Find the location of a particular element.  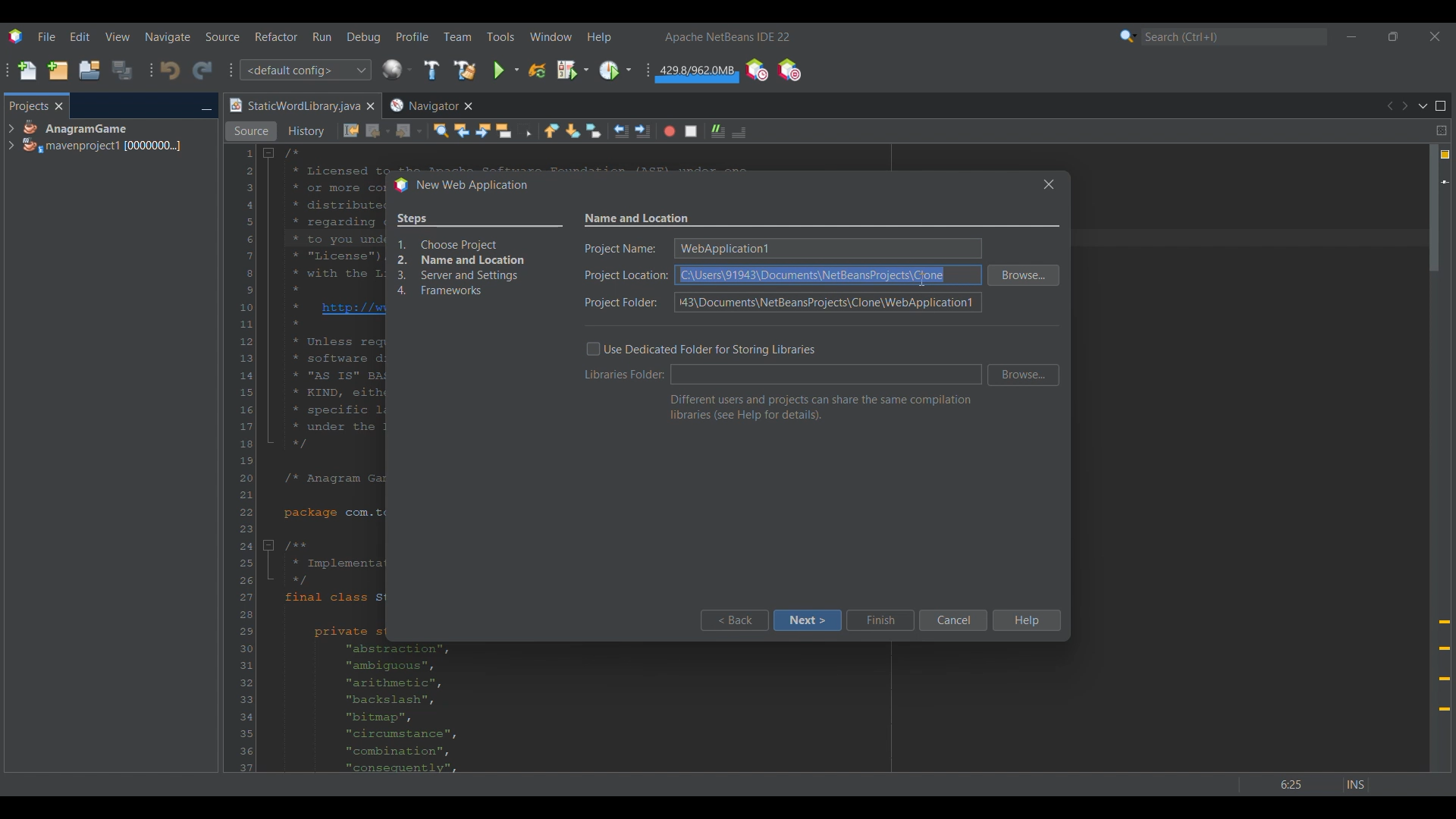

Profile IDE is located at coordinates (756, 71).